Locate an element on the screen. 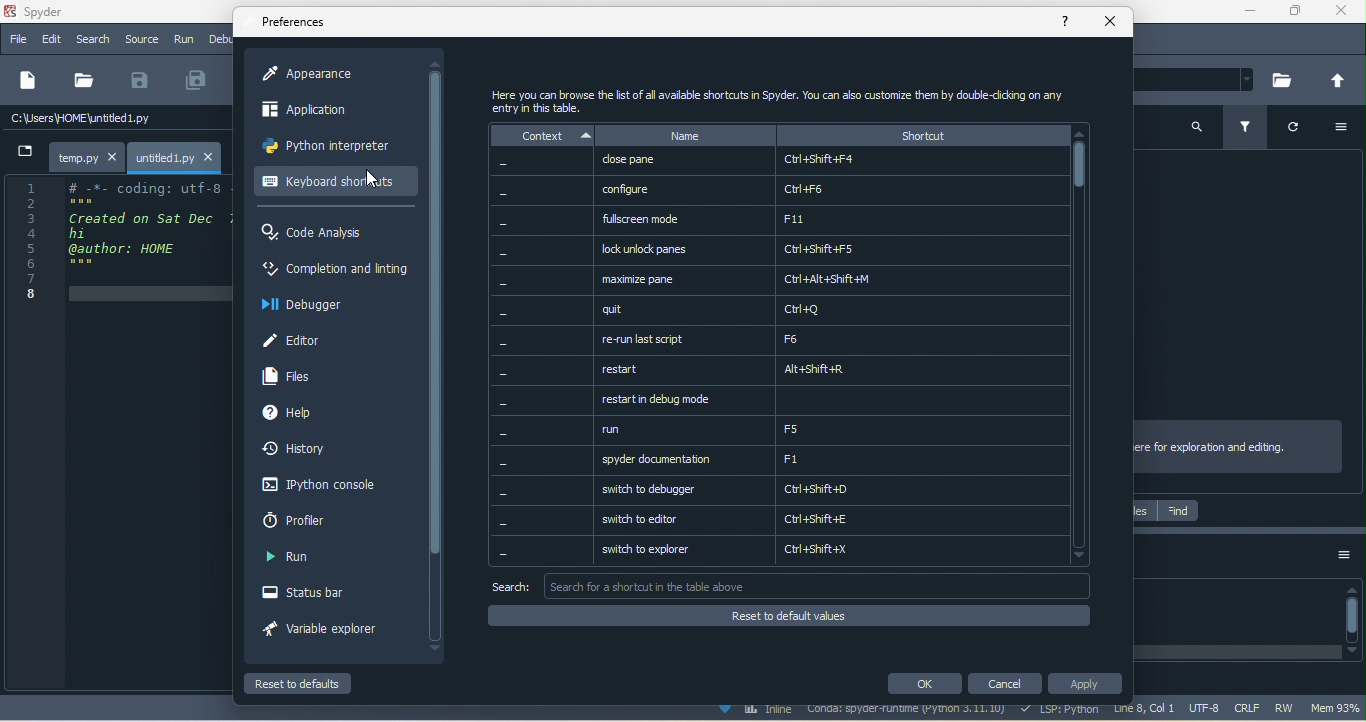 This screenshot has width=1366, height=722. inline is located at coordinates (760, 711).